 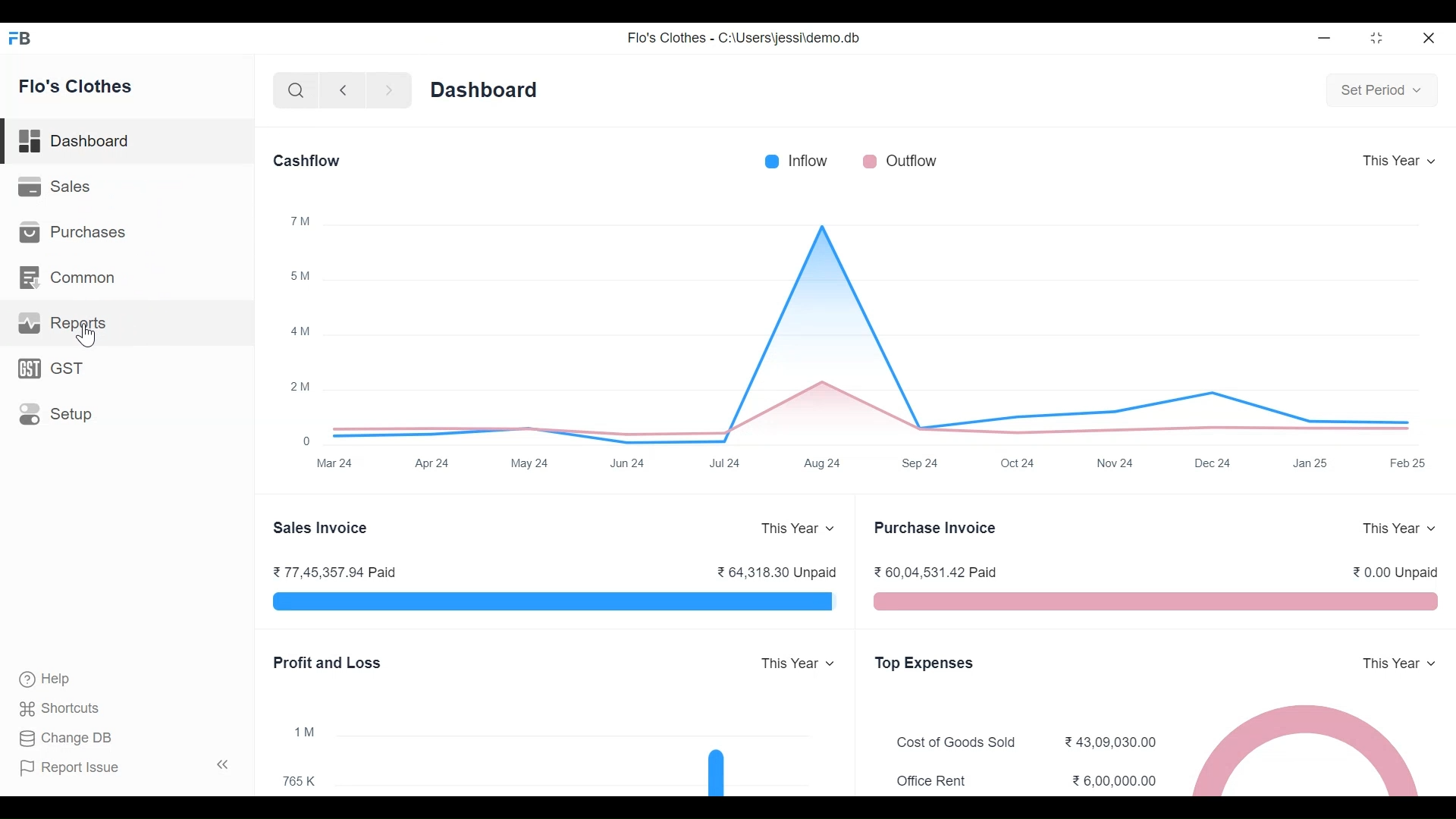 I want to click on Expand, so click(x=833, y=663).